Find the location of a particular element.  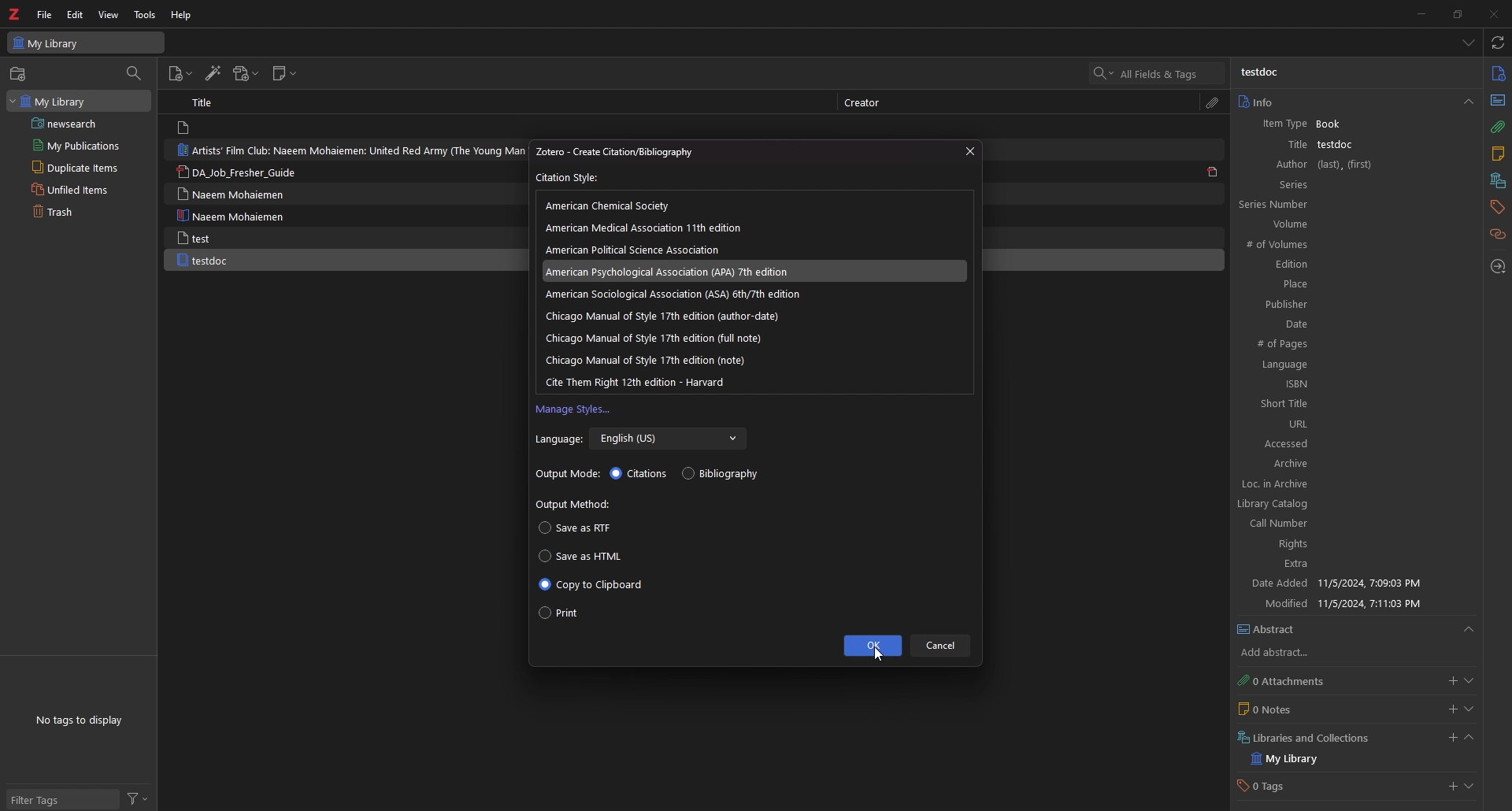

Volume is located at coordinates (1350, 224).